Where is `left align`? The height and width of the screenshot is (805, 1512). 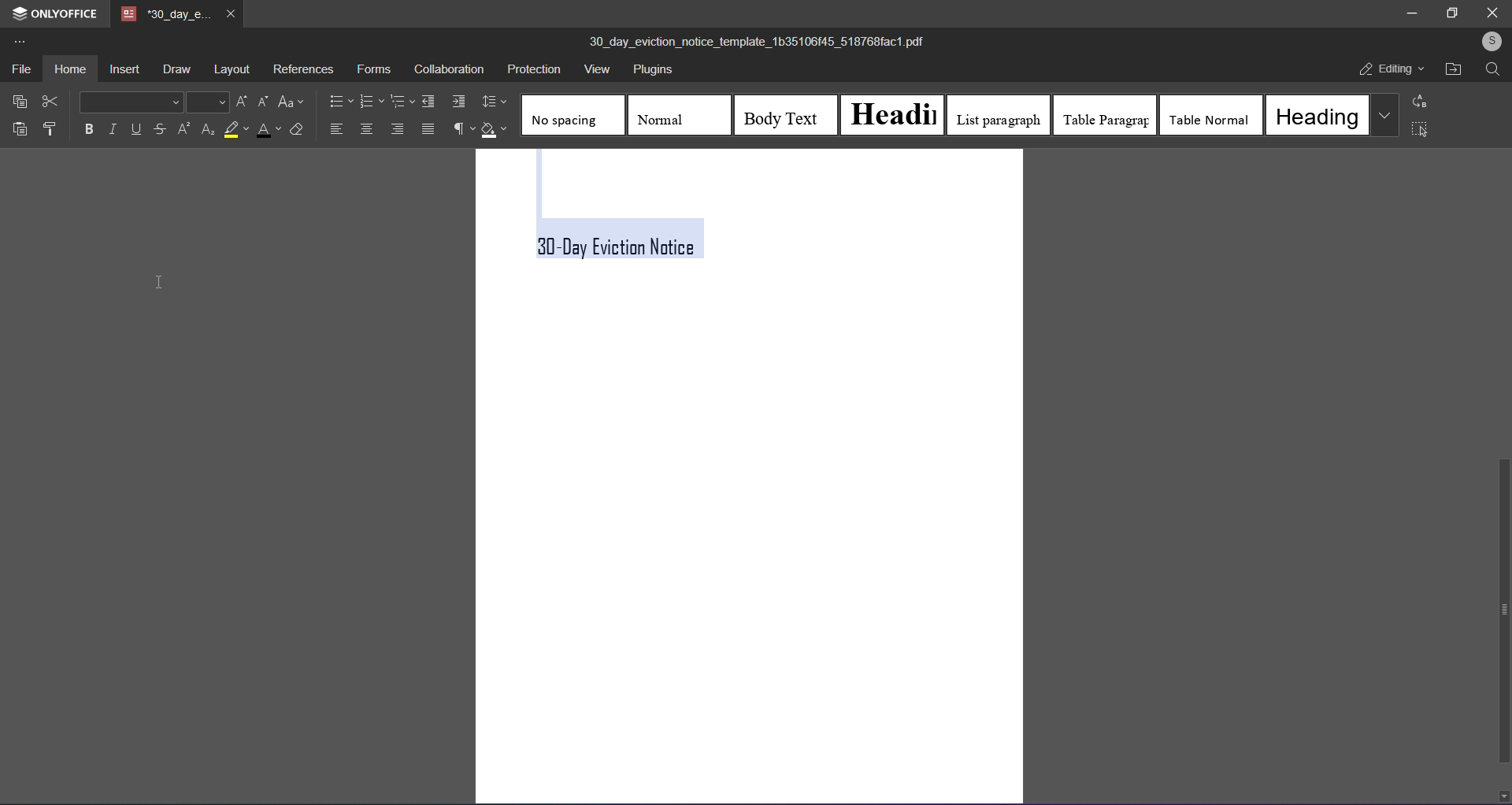
left align is located at coordinates (338, 128).